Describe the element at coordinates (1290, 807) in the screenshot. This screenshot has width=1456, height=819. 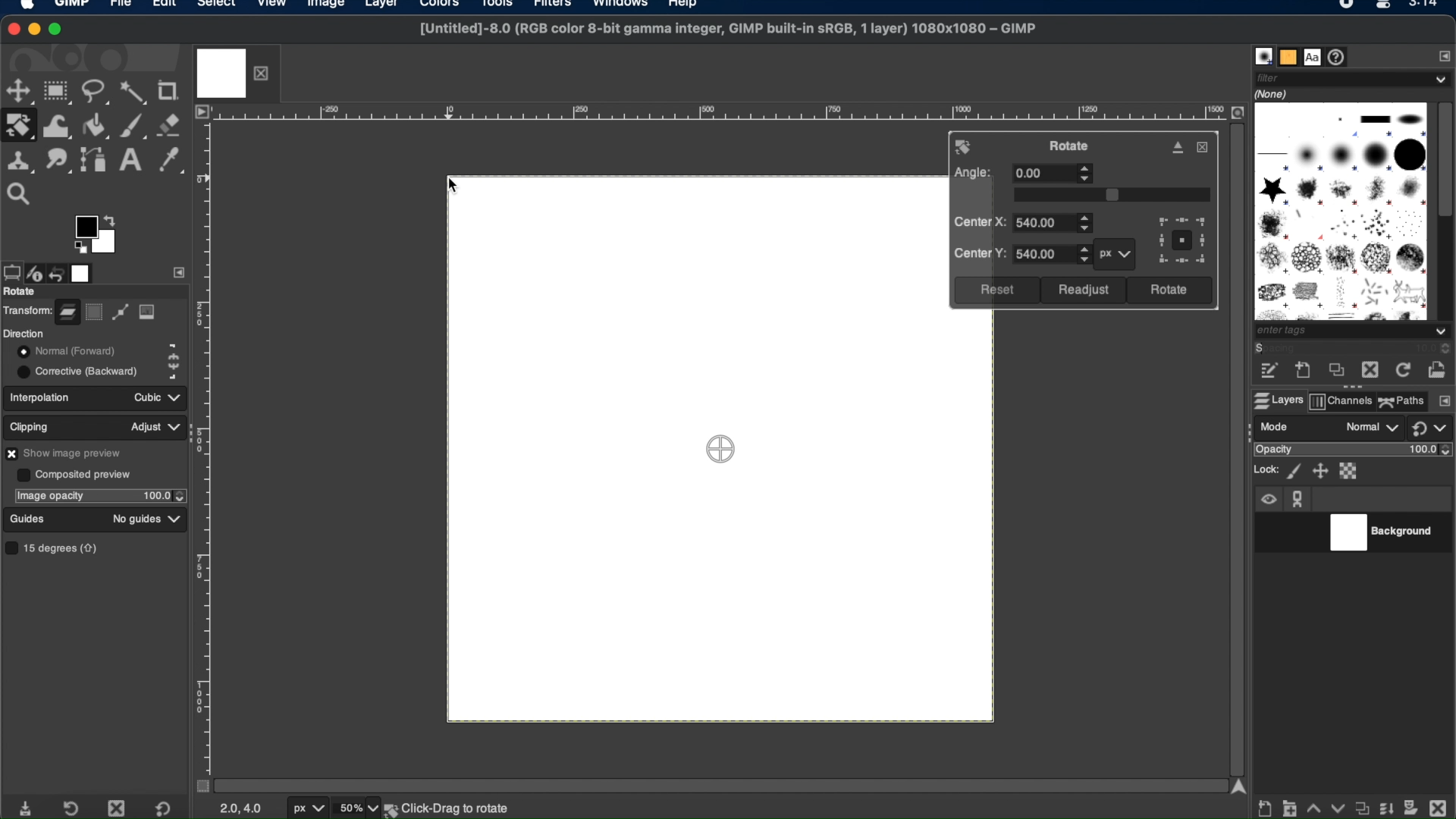
I see `create a new layer group` at that location.